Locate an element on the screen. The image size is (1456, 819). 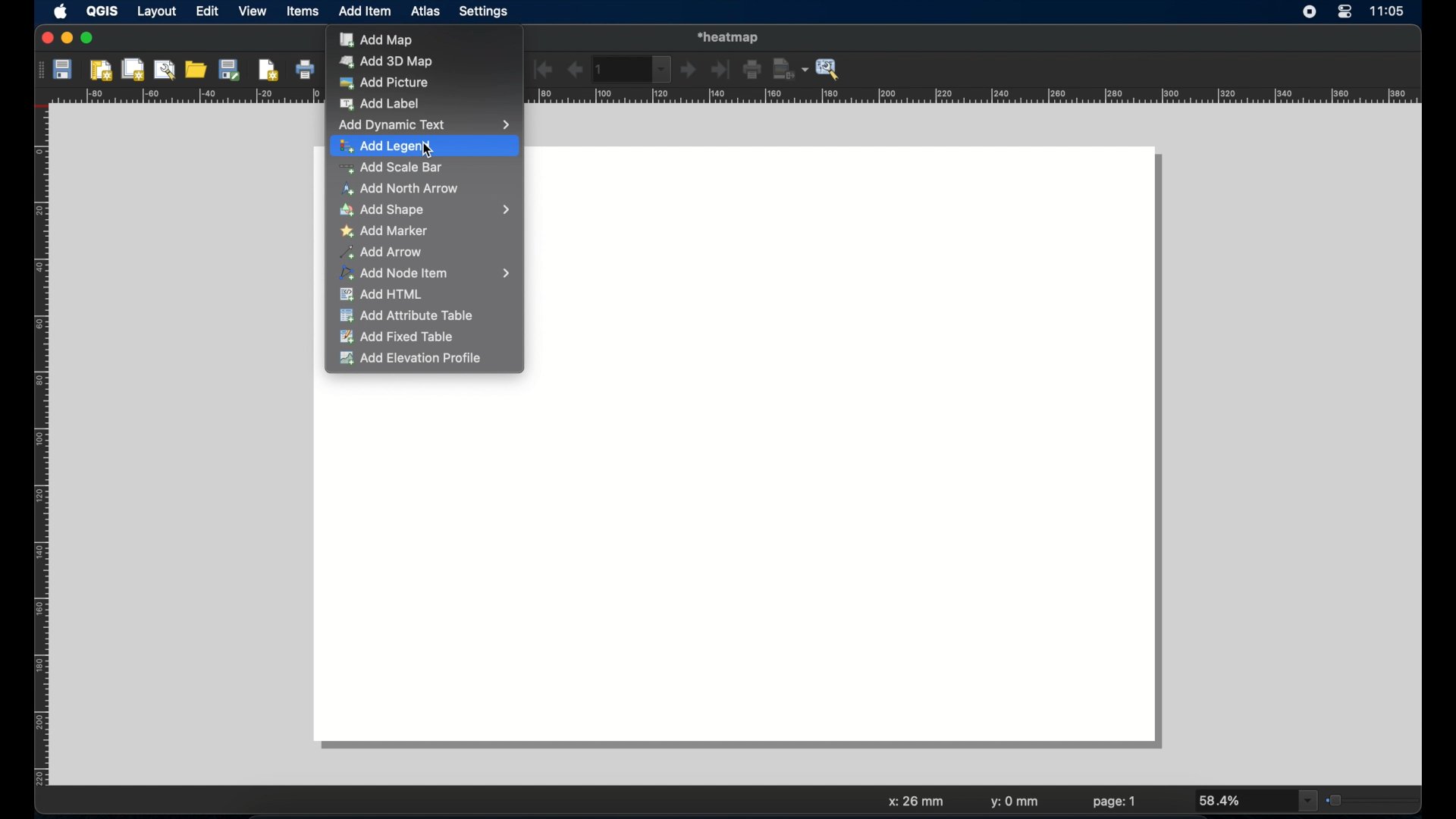
print atlas is located at coordinates (753, 71).